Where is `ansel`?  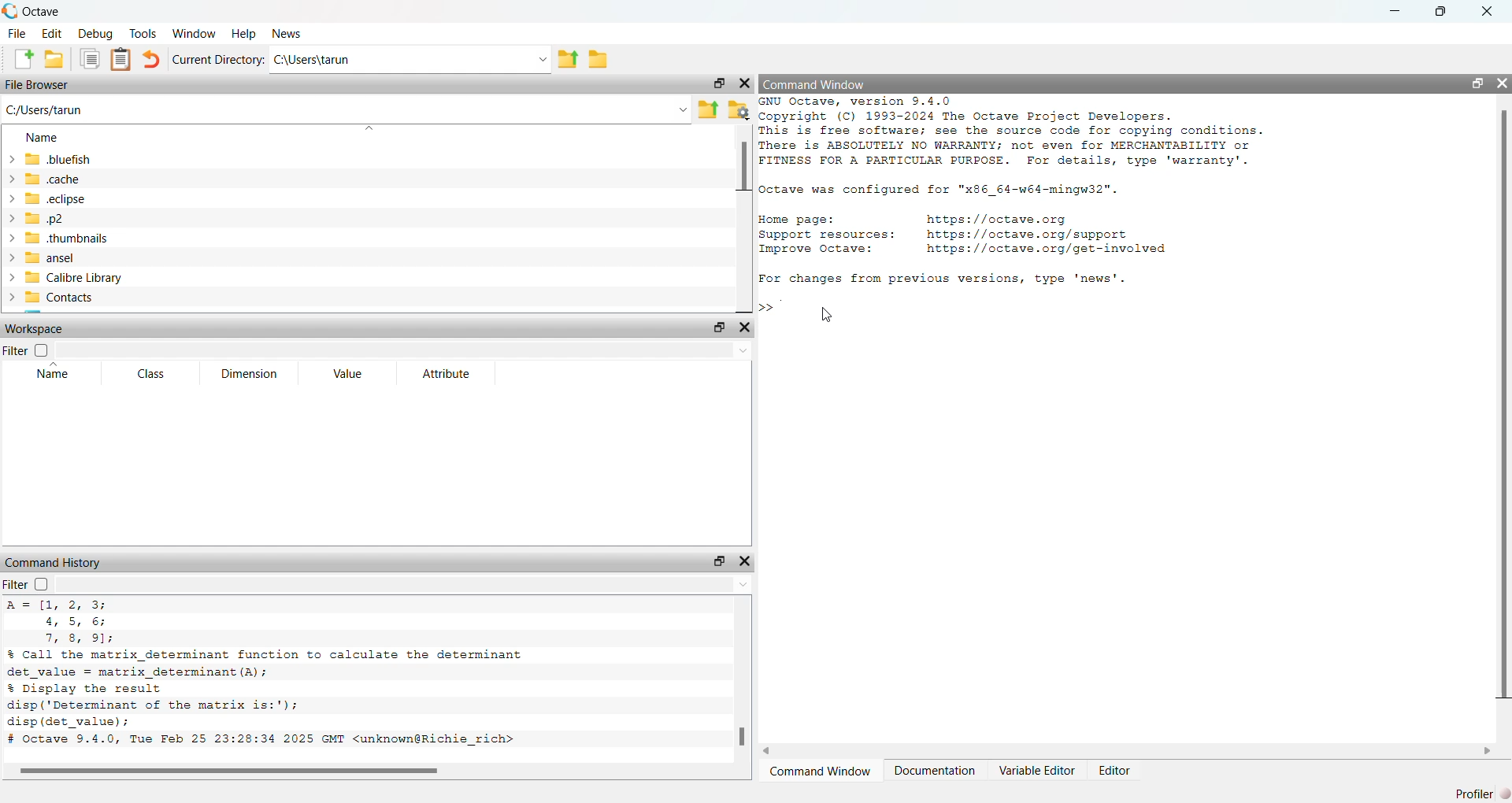
ansel is located at coordinates (44, 258).